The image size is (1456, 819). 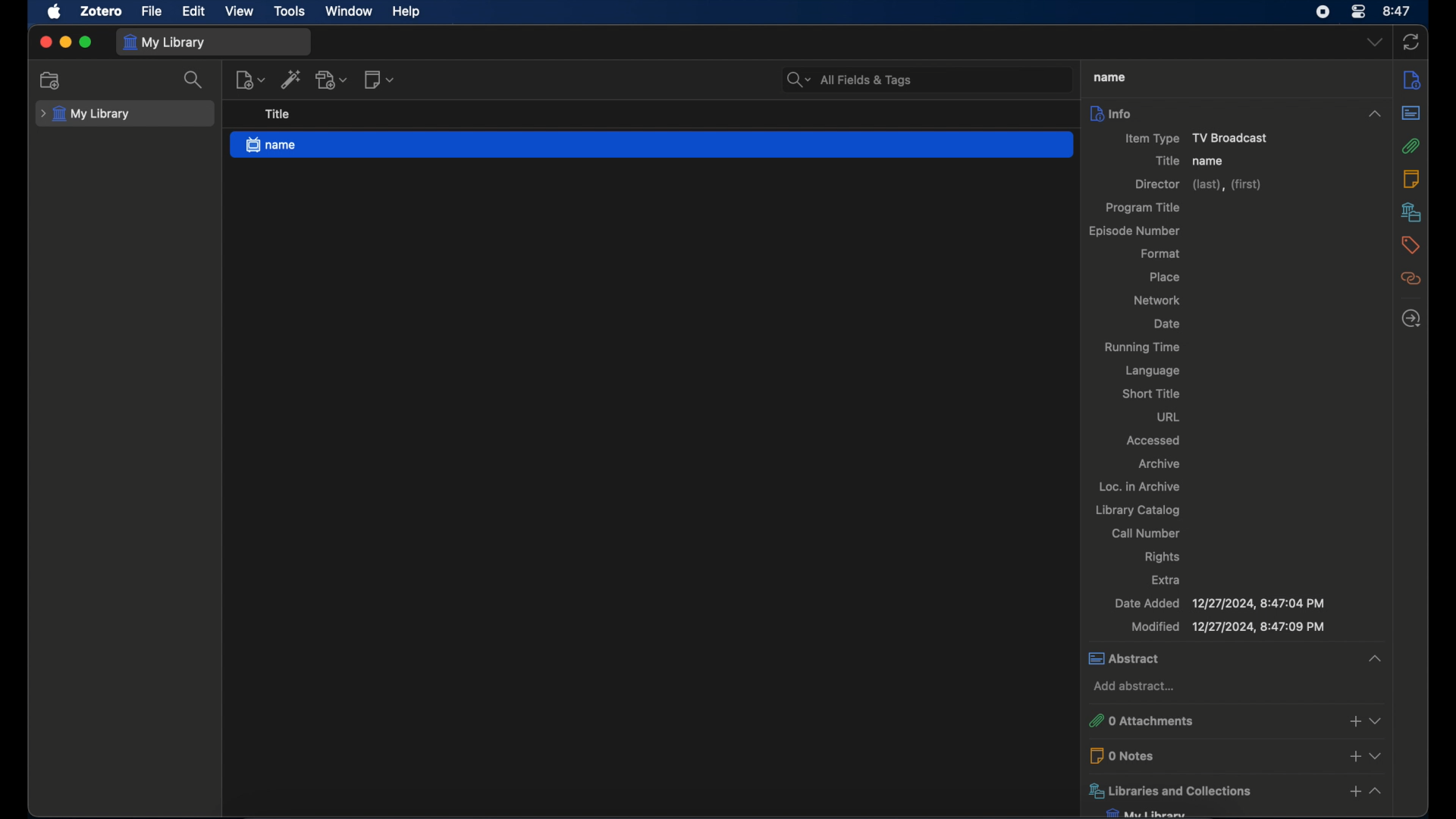 I want to click on date, so click(x=1166, y=325).